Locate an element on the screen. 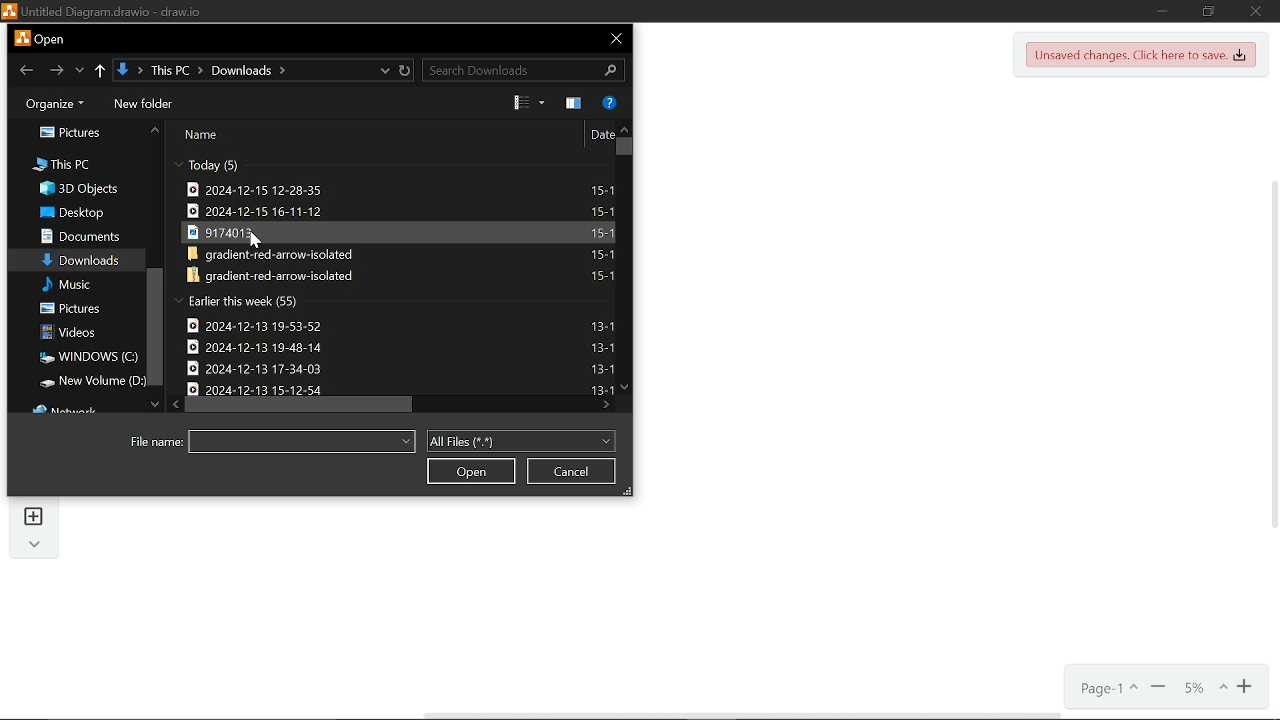 The height and width of the screenshot is (720, 1280). Zoom out is located at coordinates (1158, 685).